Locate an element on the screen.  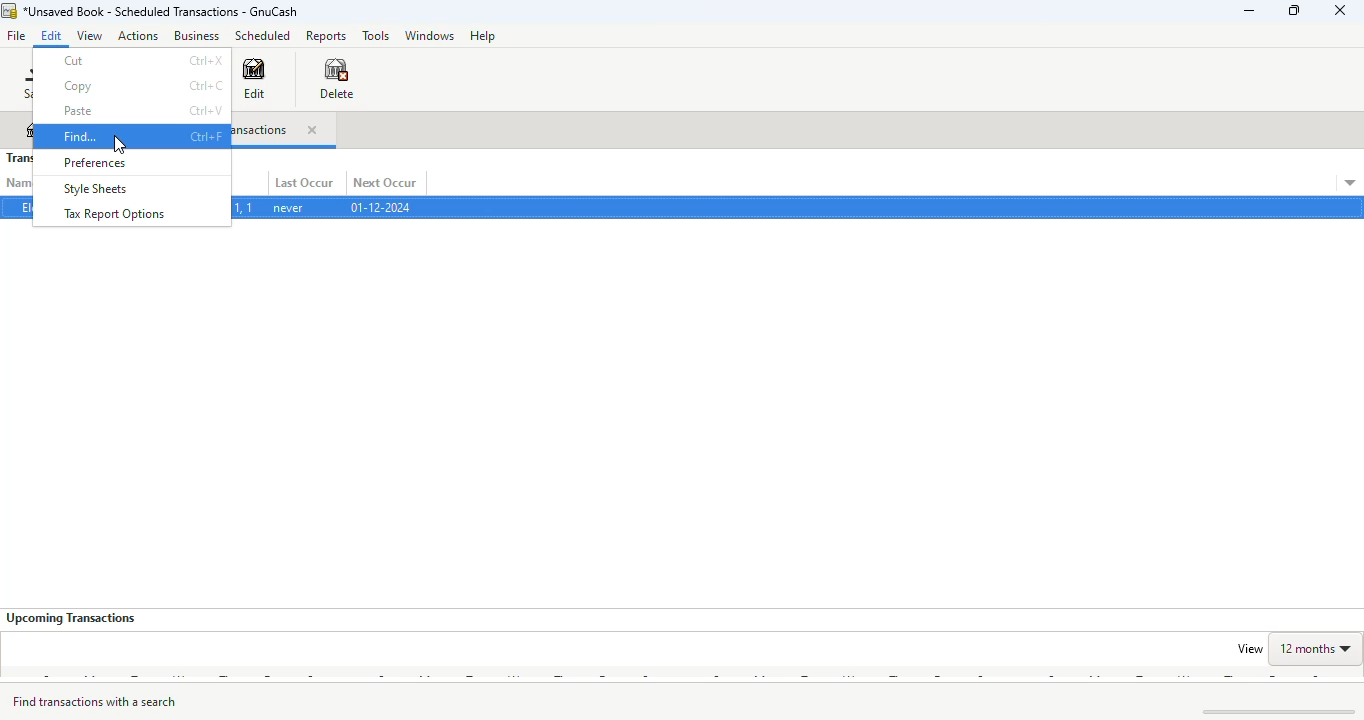
copy is located at coordinates (77, 87).